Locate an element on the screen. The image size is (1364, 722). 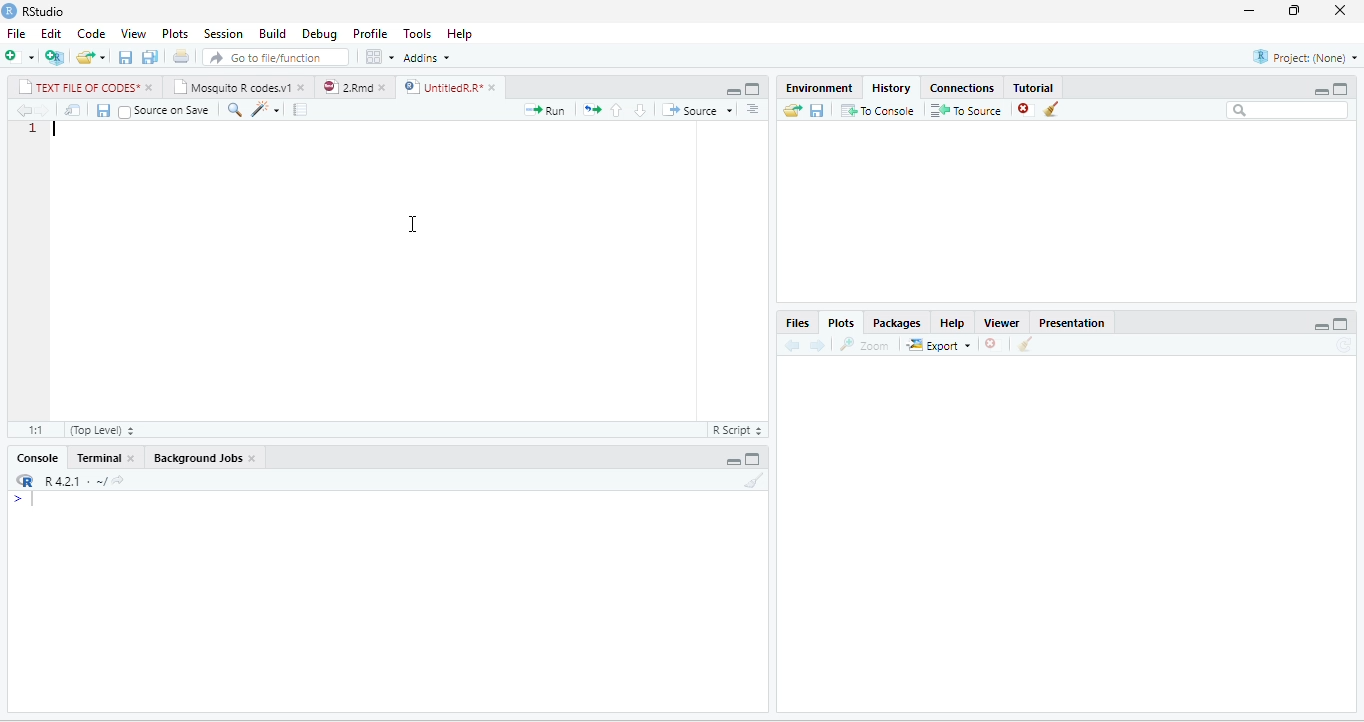
Connections is located at coordinates (963, 89).